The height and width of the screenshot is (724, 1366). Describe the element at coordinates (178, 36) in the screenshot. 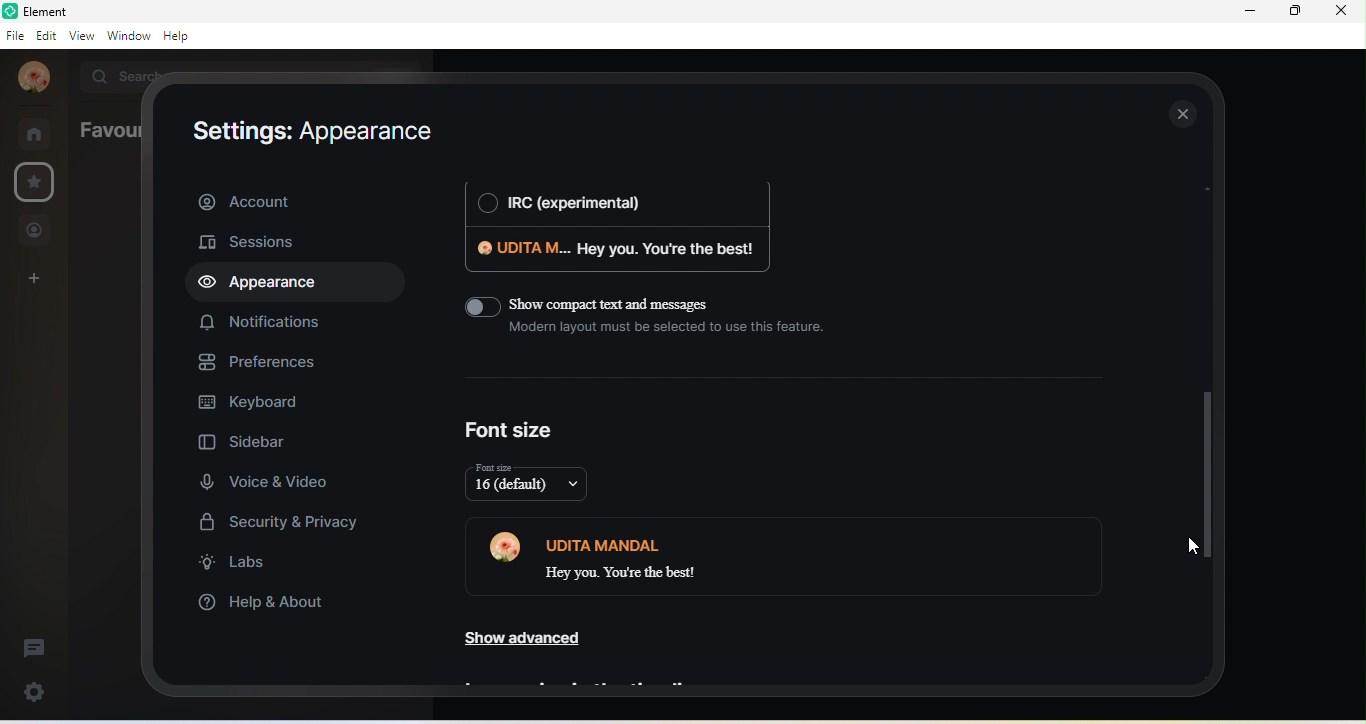

I see `help` at that location.